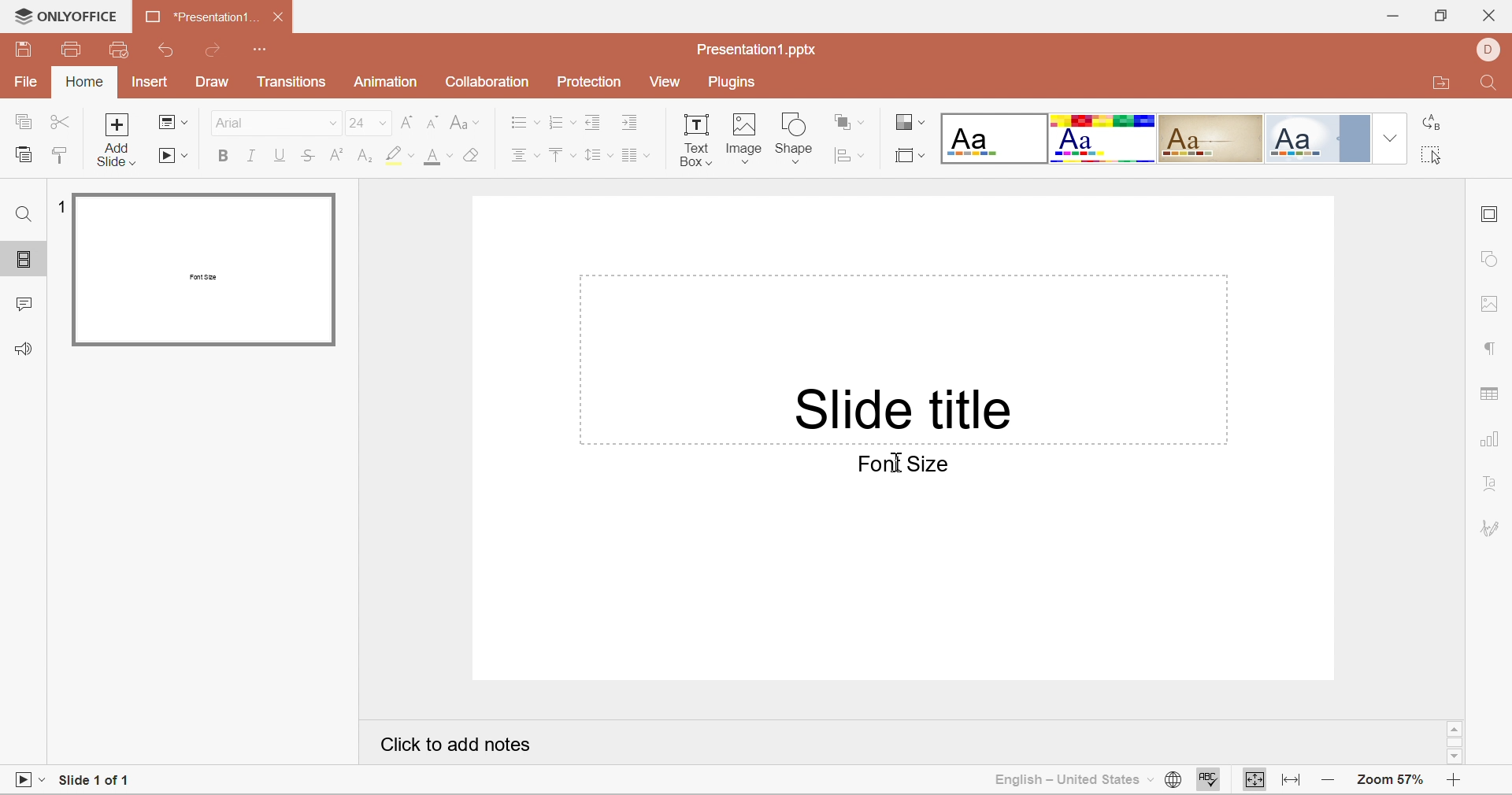 The image size is (1512, 795). I want to click on Arrange shape, so click(848, 121).